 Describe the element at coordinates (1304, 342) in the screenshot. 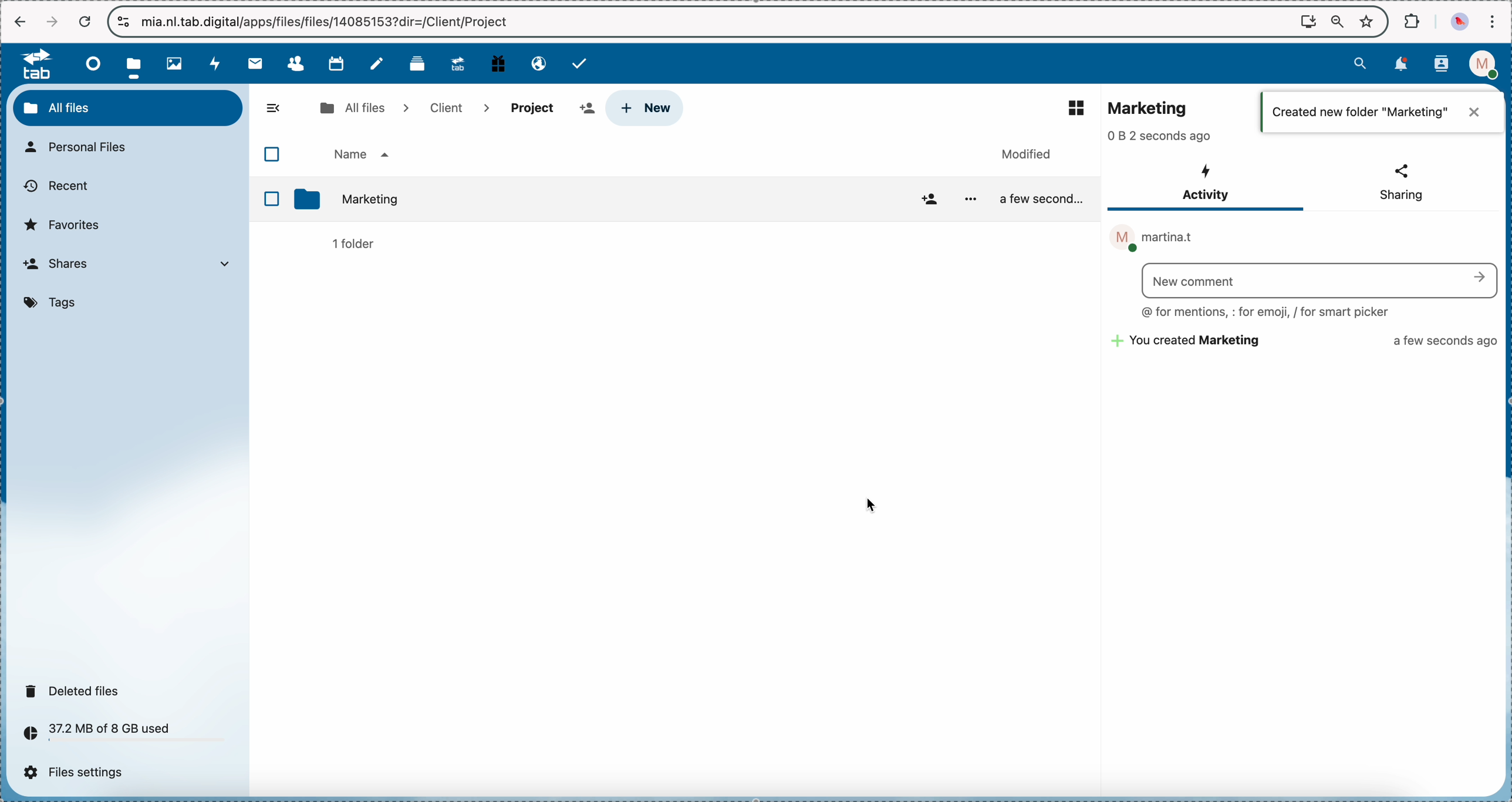

I see `activity folder` at that location.